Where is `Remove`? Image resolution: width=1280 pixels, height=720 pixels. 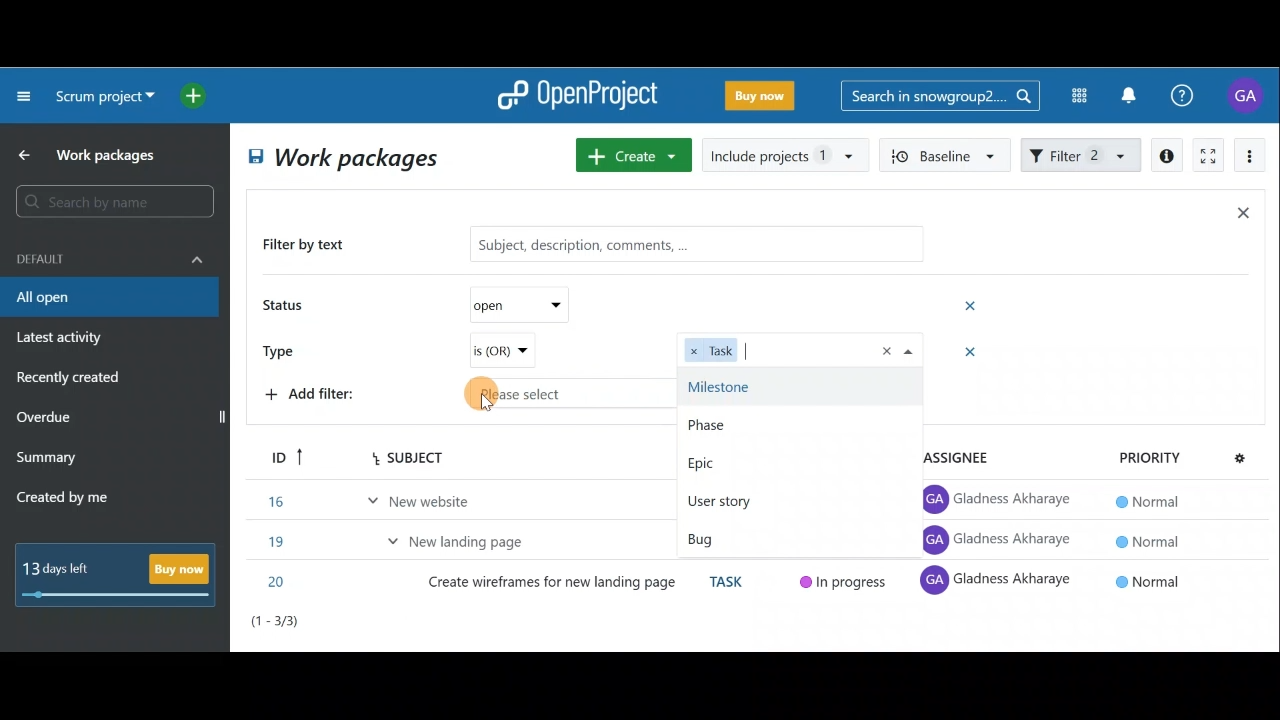 Remove is located at coordinates (972, 305).